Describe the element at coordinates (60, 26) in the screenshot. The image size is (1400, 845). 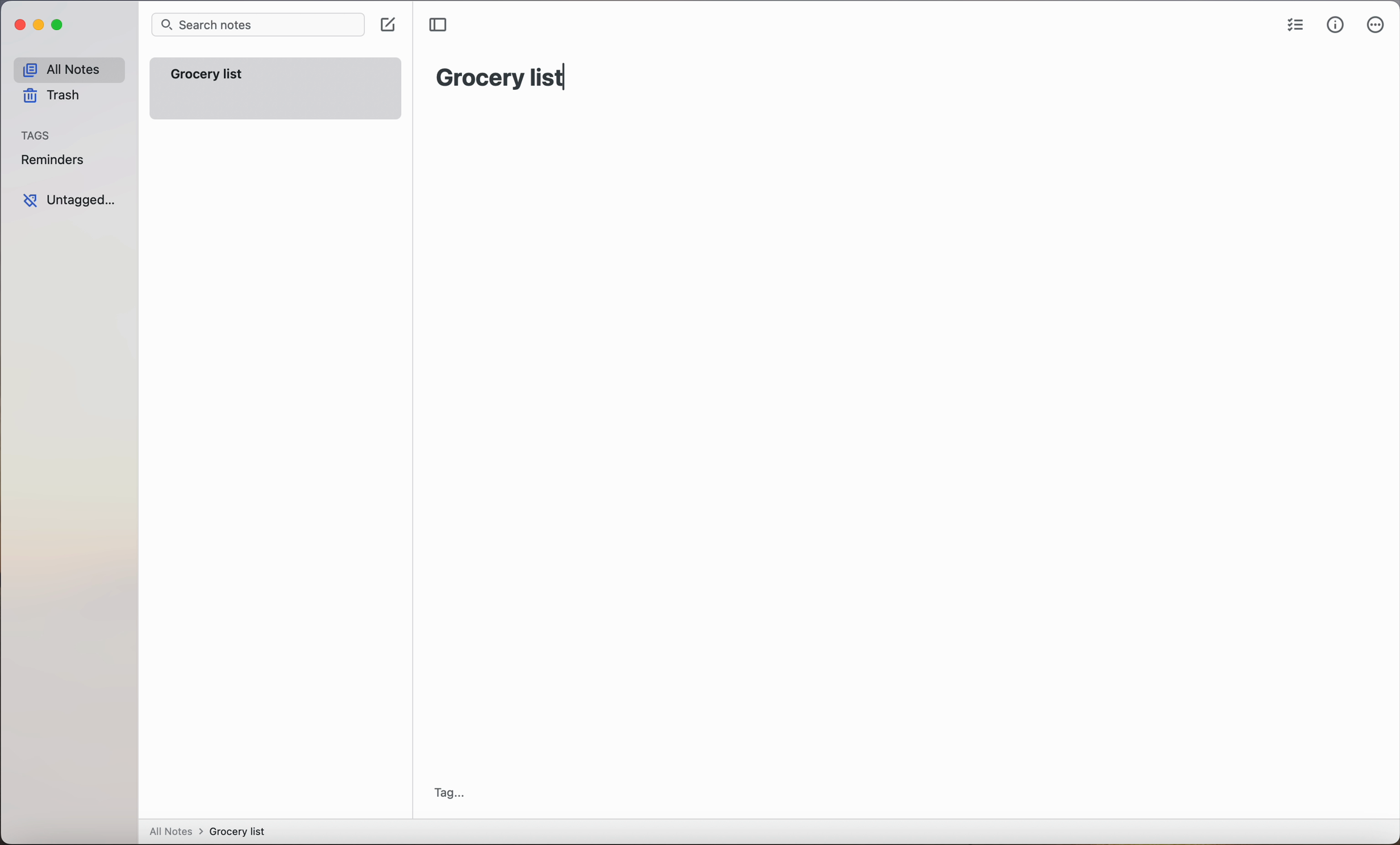
I see `maximize Simplenote` at that location.